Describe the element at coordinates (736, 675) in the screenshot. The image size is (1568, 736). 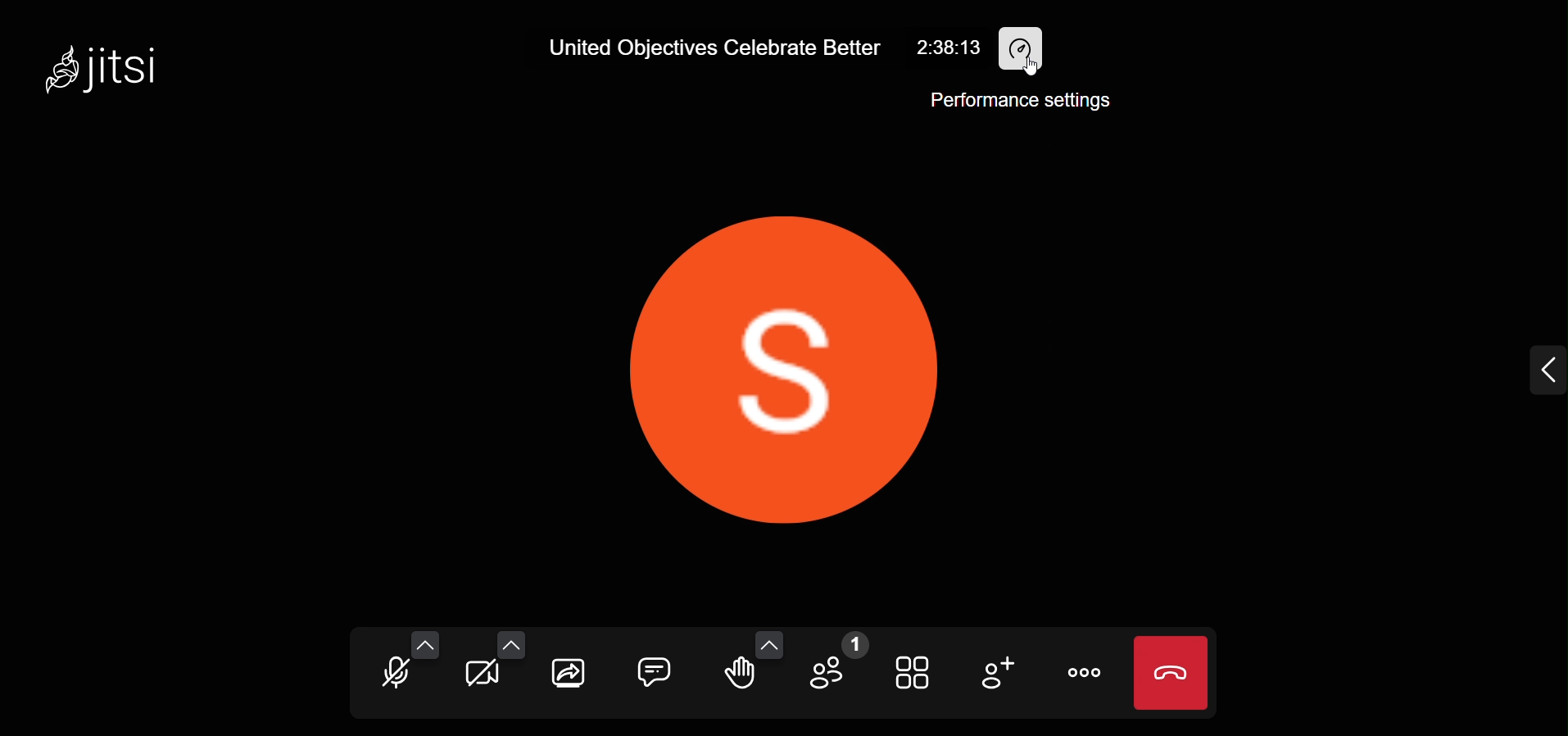
I see `raise hand` at that location.